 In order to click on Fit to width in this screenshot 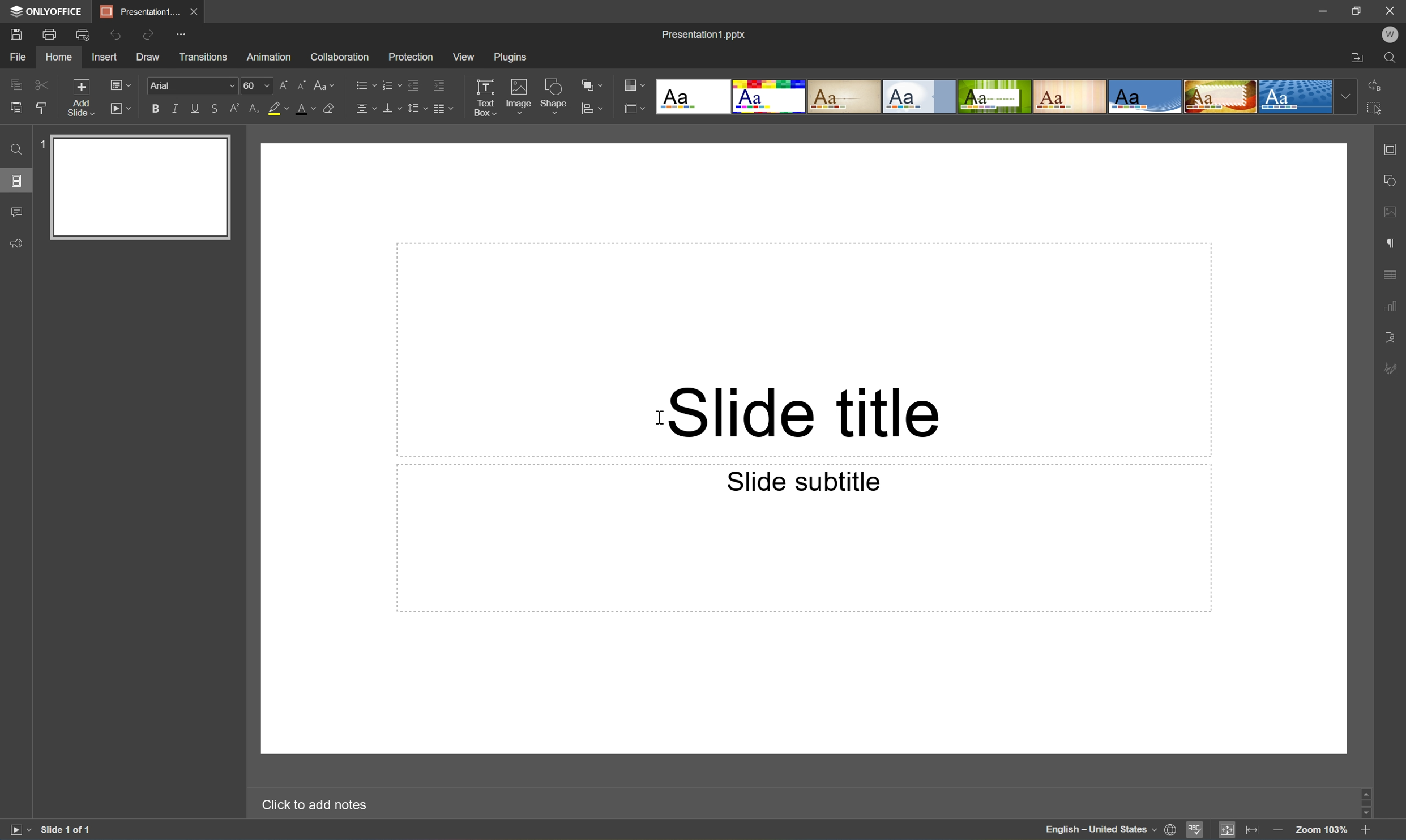, I will do `click(1254, 829)`.